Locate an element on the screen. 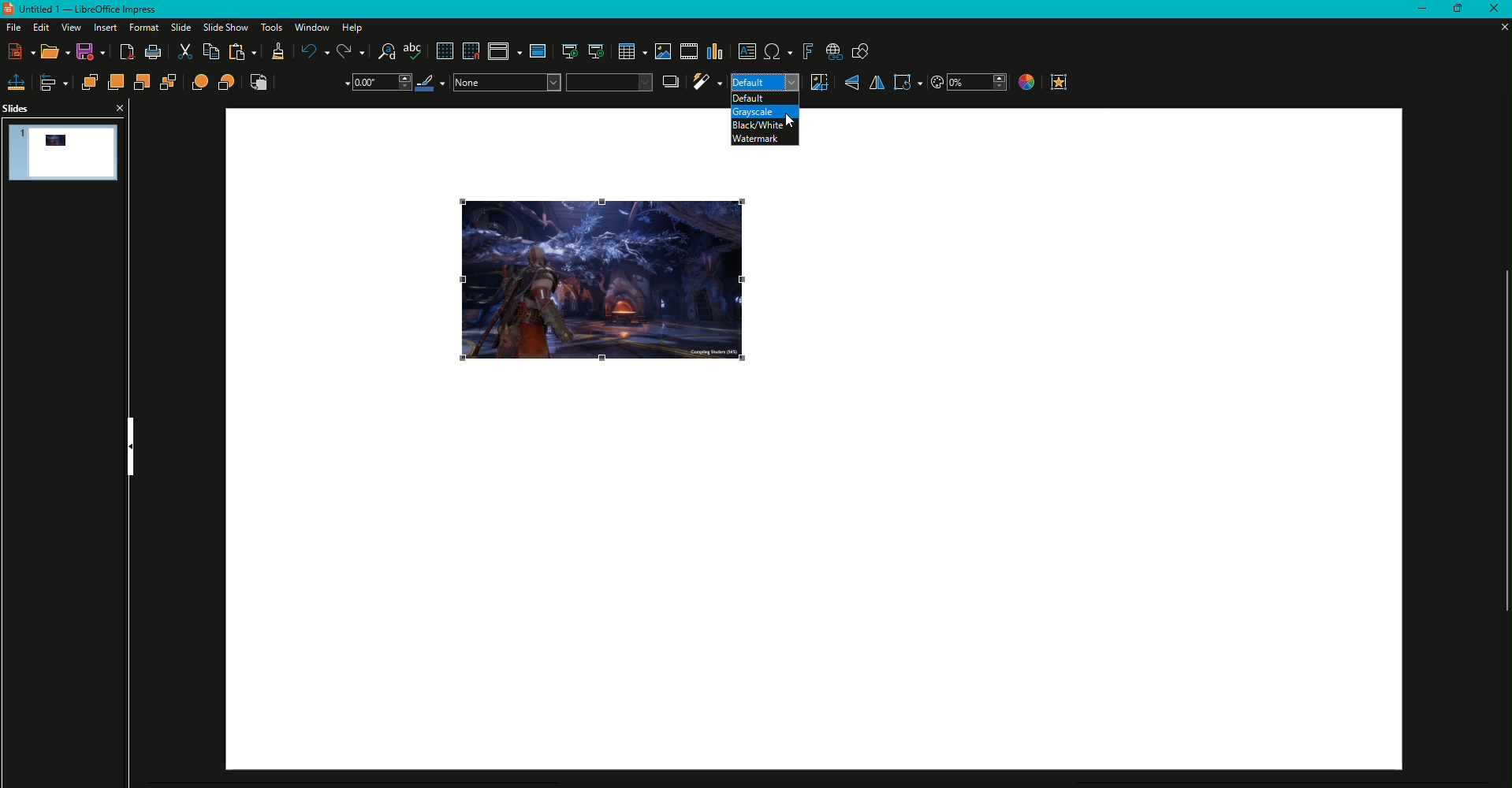  Save is located at coordinates (94, 54).